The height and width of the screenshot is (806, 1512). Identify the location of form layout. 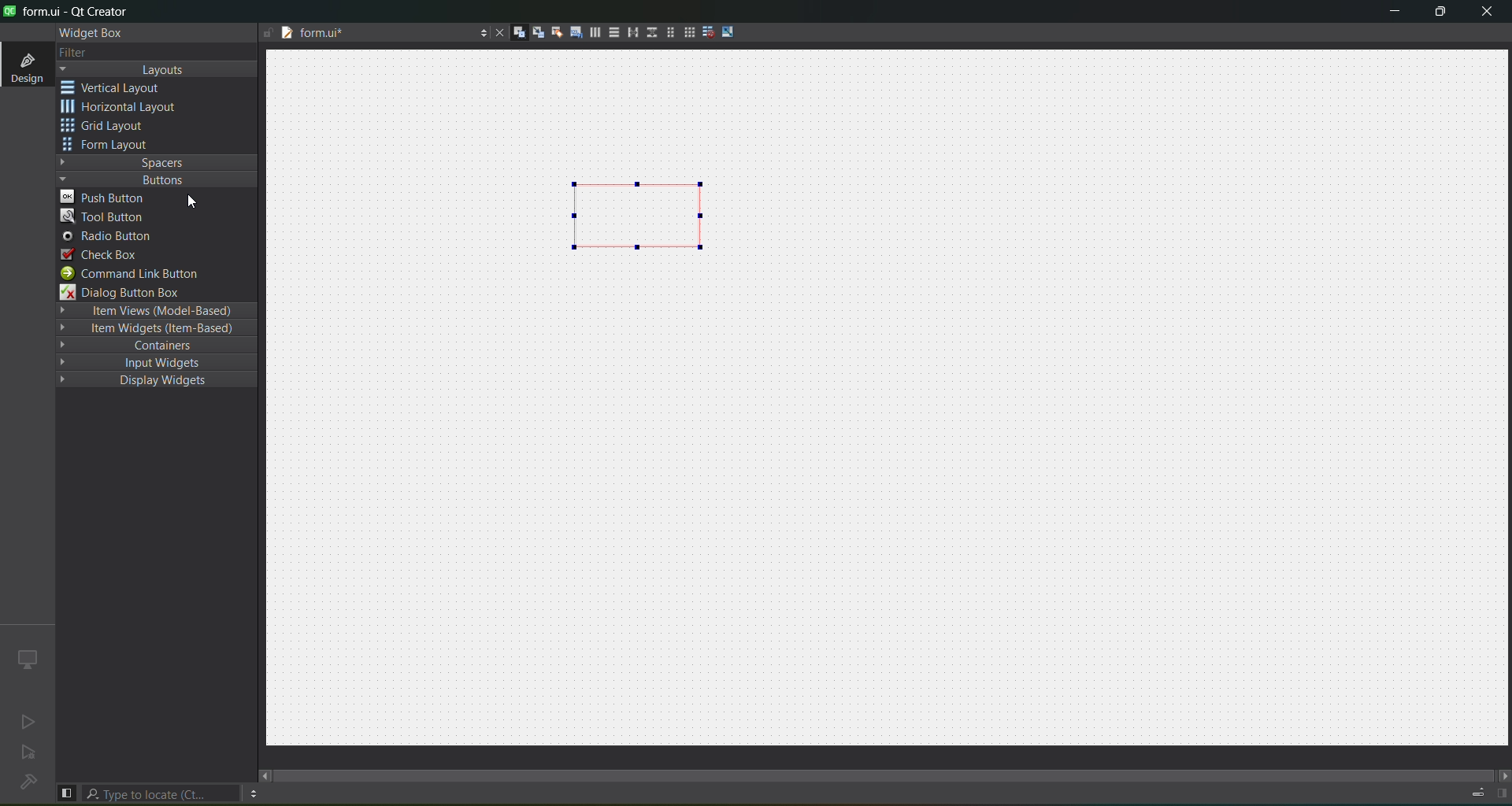
(667, 32).